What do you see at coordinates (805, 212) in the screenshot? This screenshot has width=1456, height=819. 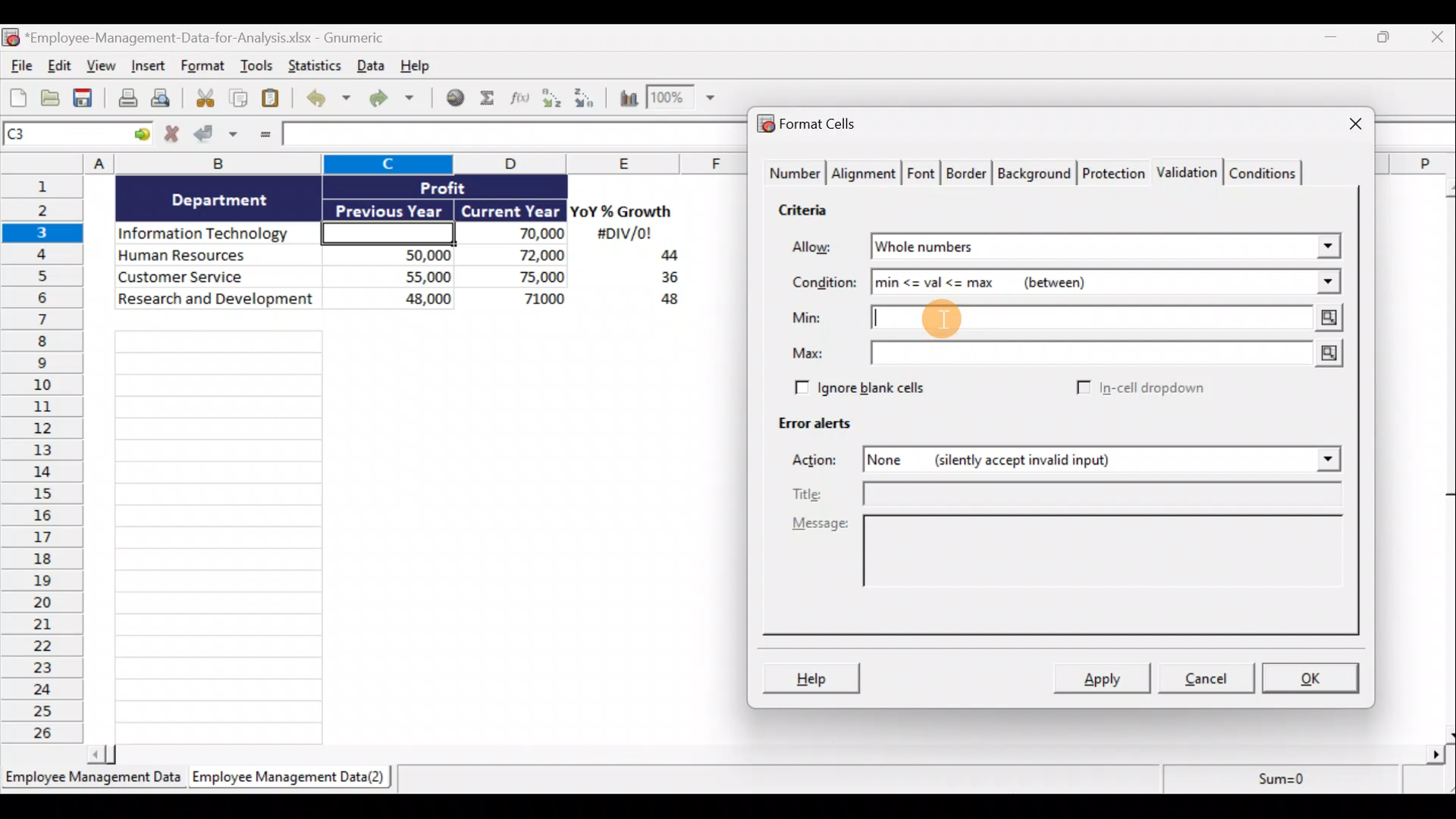 I see `Criteria` at bounding box center [805, 212].